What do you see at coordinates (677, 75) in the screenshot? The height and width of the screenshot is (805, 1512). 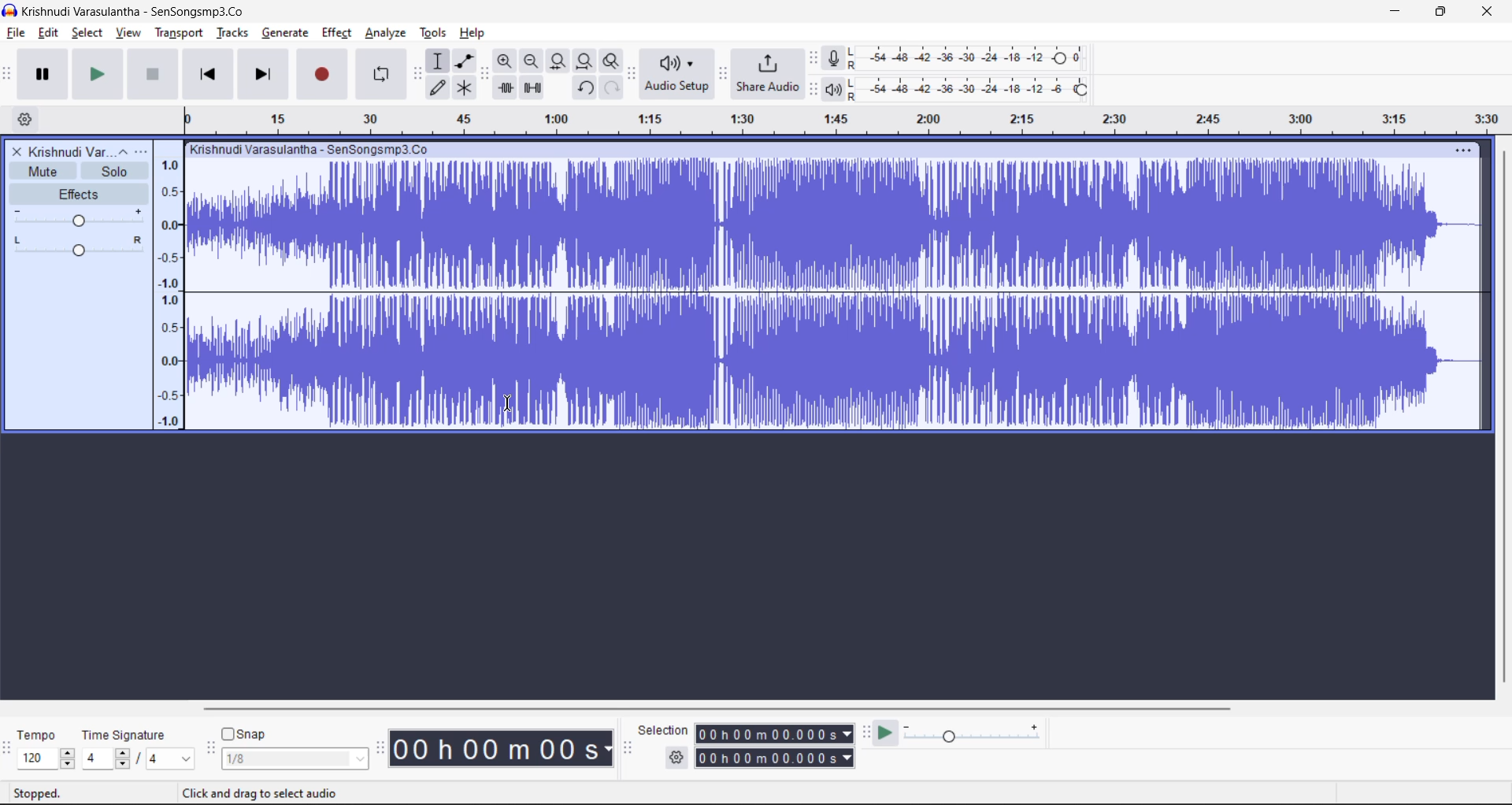 I see `audio setup` at bounding box center [677, 75].